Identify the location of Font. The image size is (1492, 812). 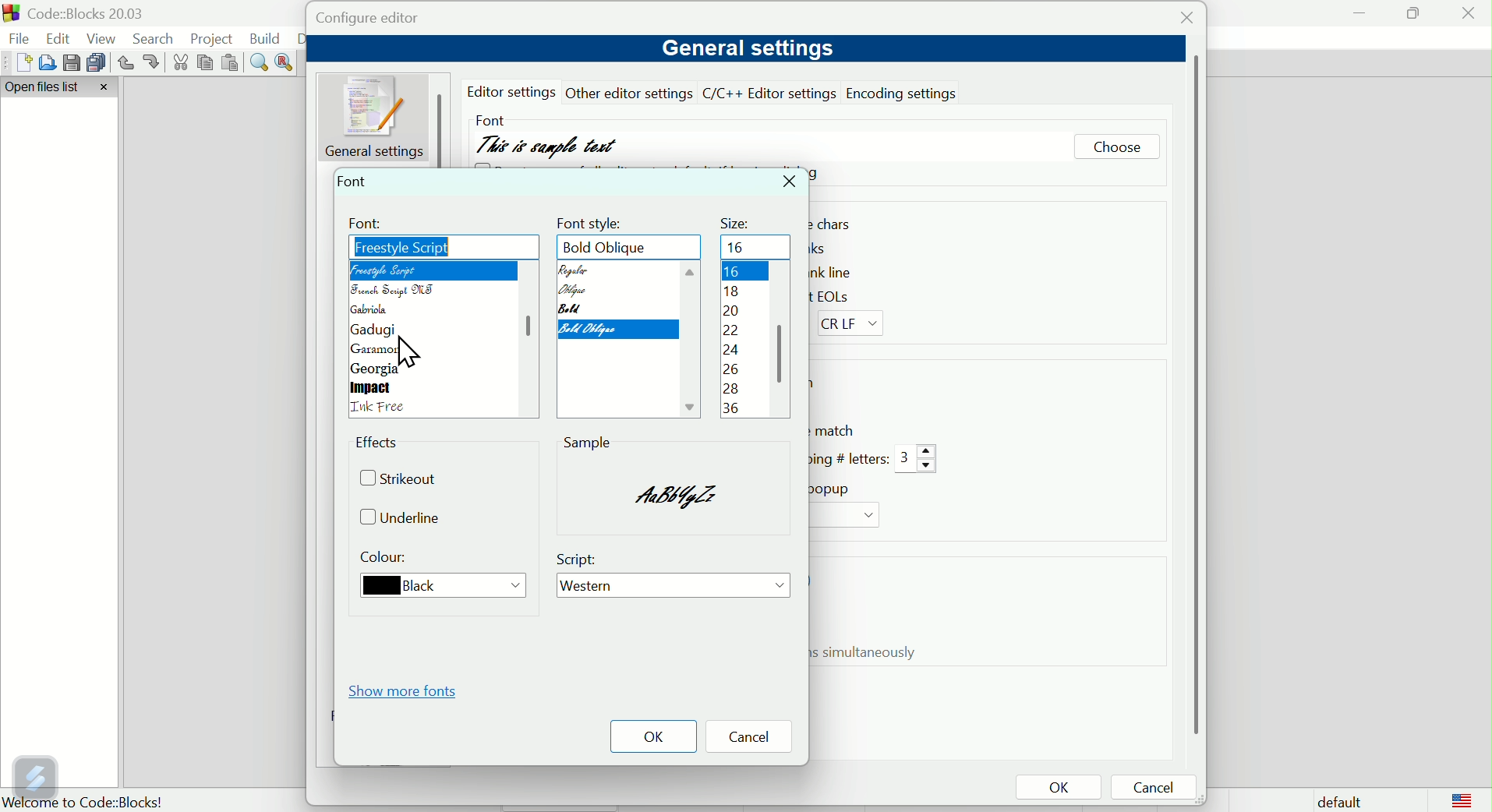
(355, 180).